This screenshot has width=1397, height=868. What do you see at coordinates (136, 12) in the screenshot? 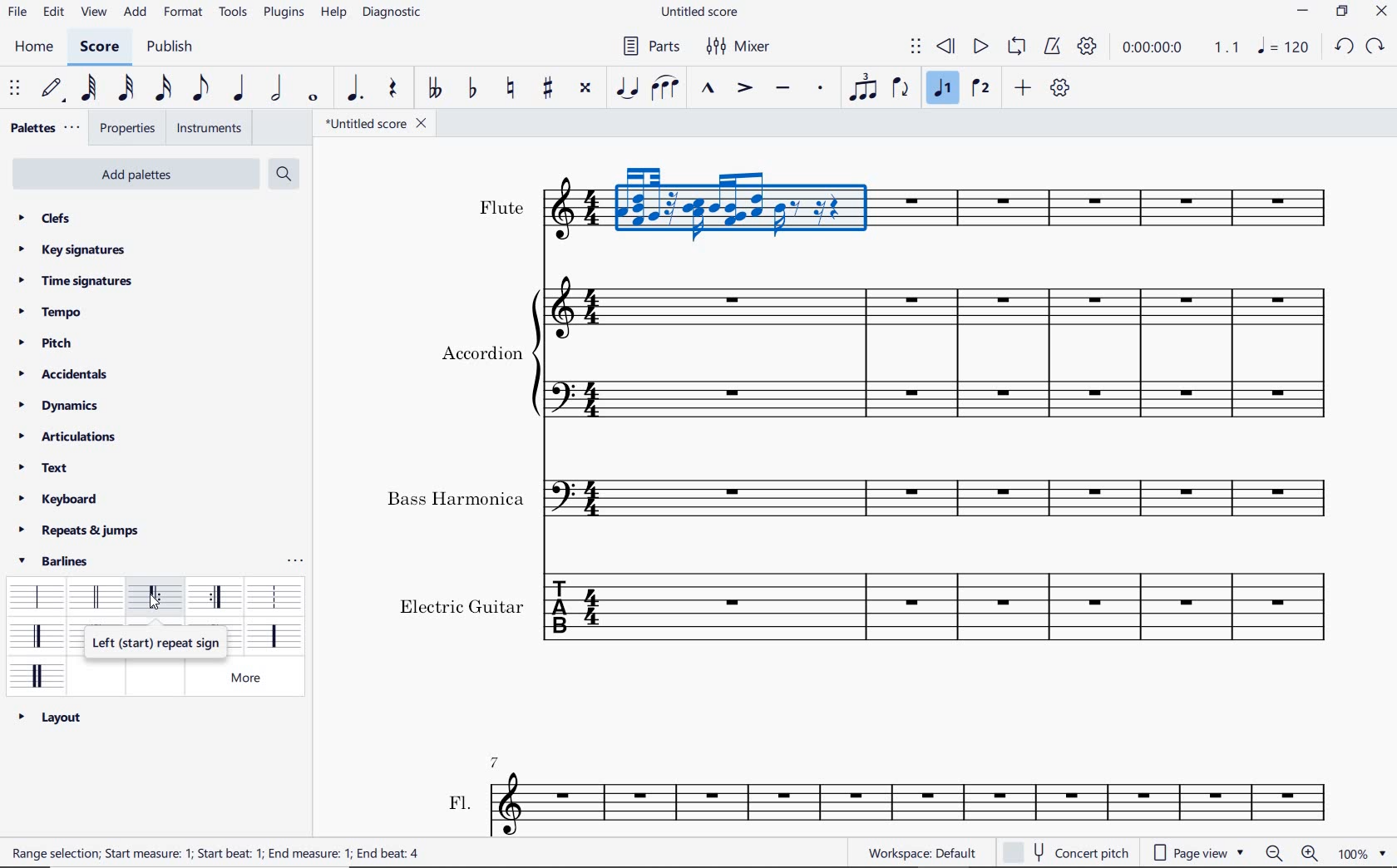
I see `add` at bounding box center [136, 12].